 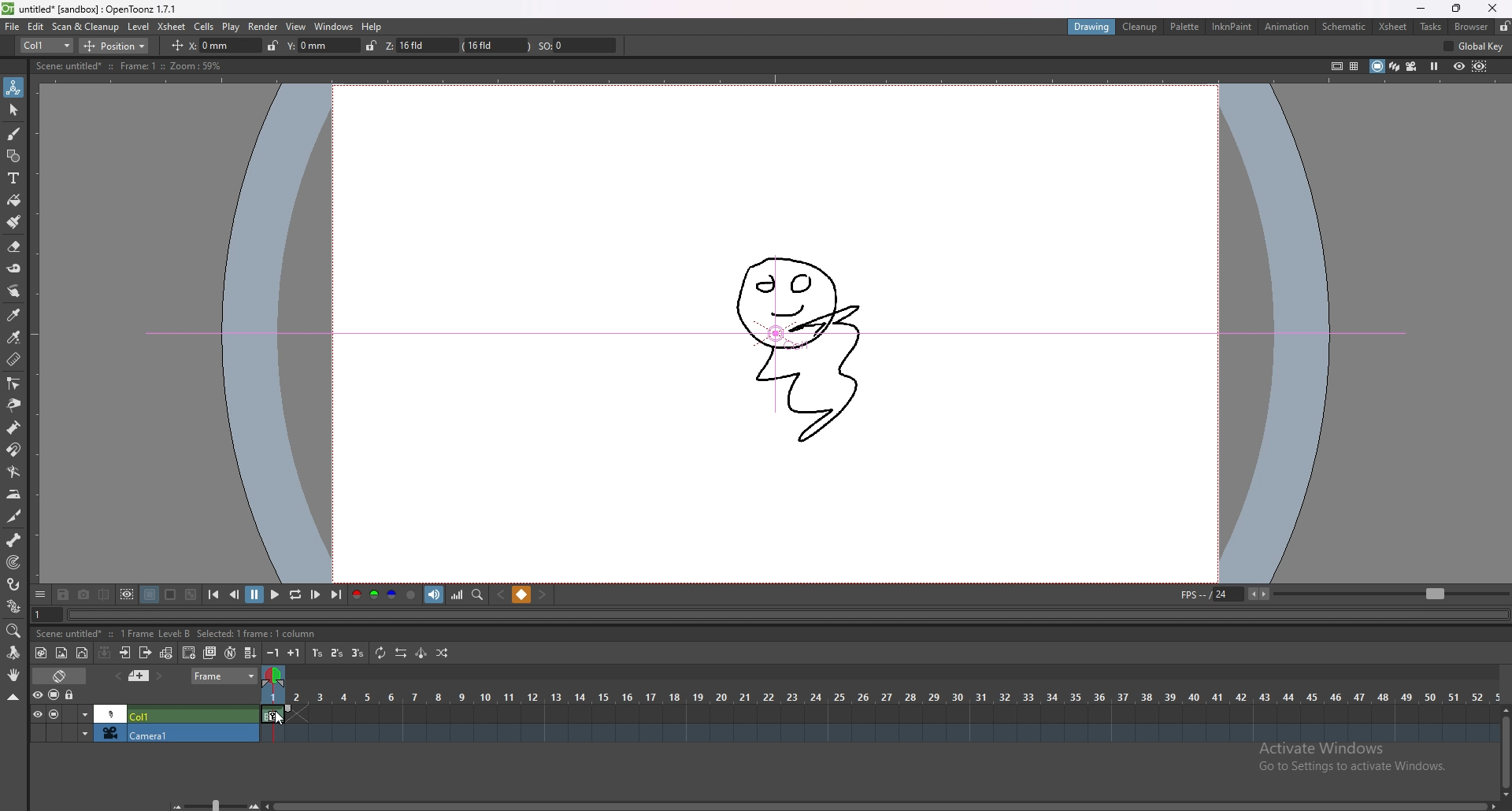 I want to click on zoom, so click(x=14, y=631).